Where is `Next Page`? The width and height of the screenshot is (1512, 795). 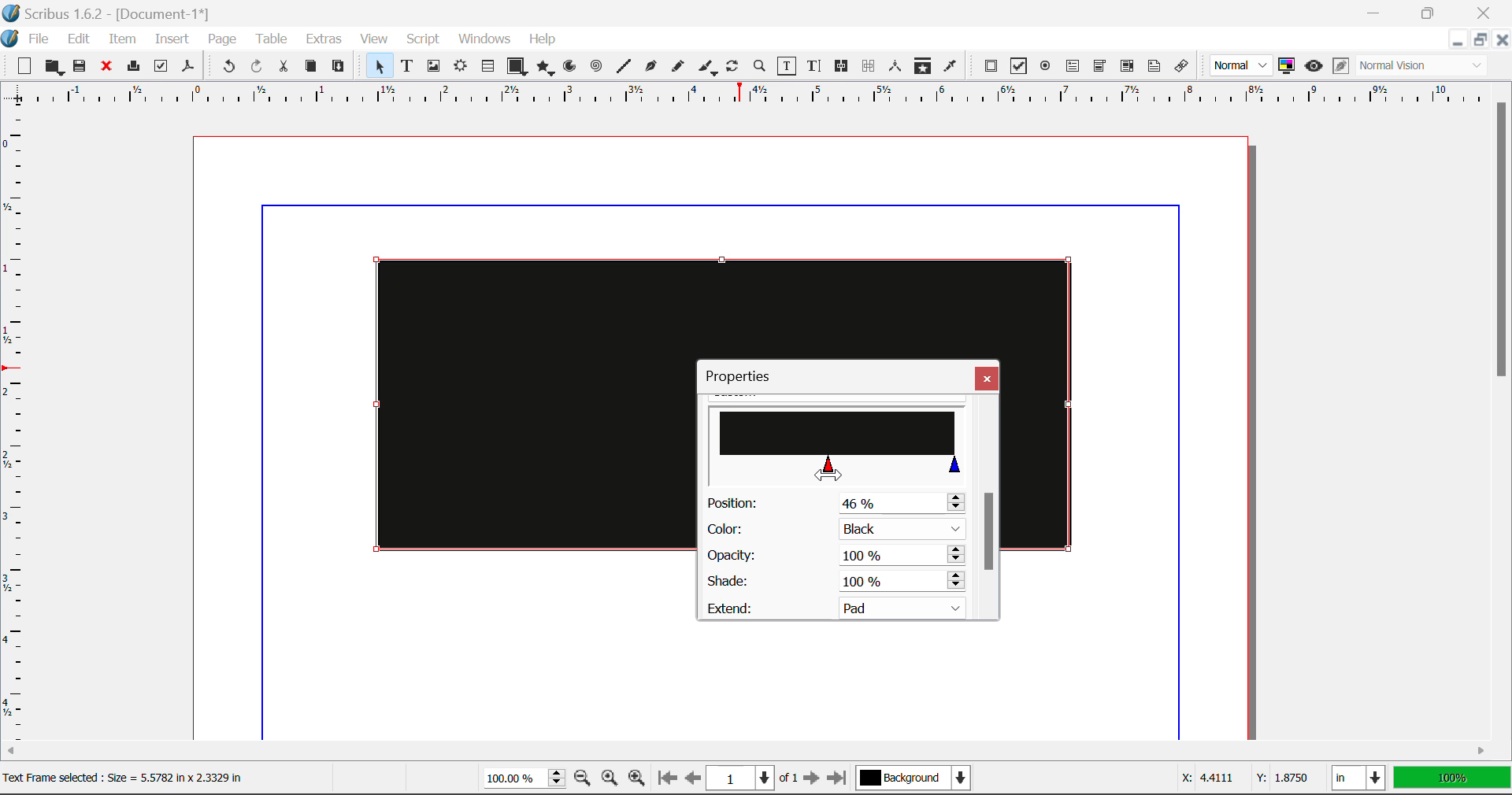
Next Page is located at coordinates (811, 779).